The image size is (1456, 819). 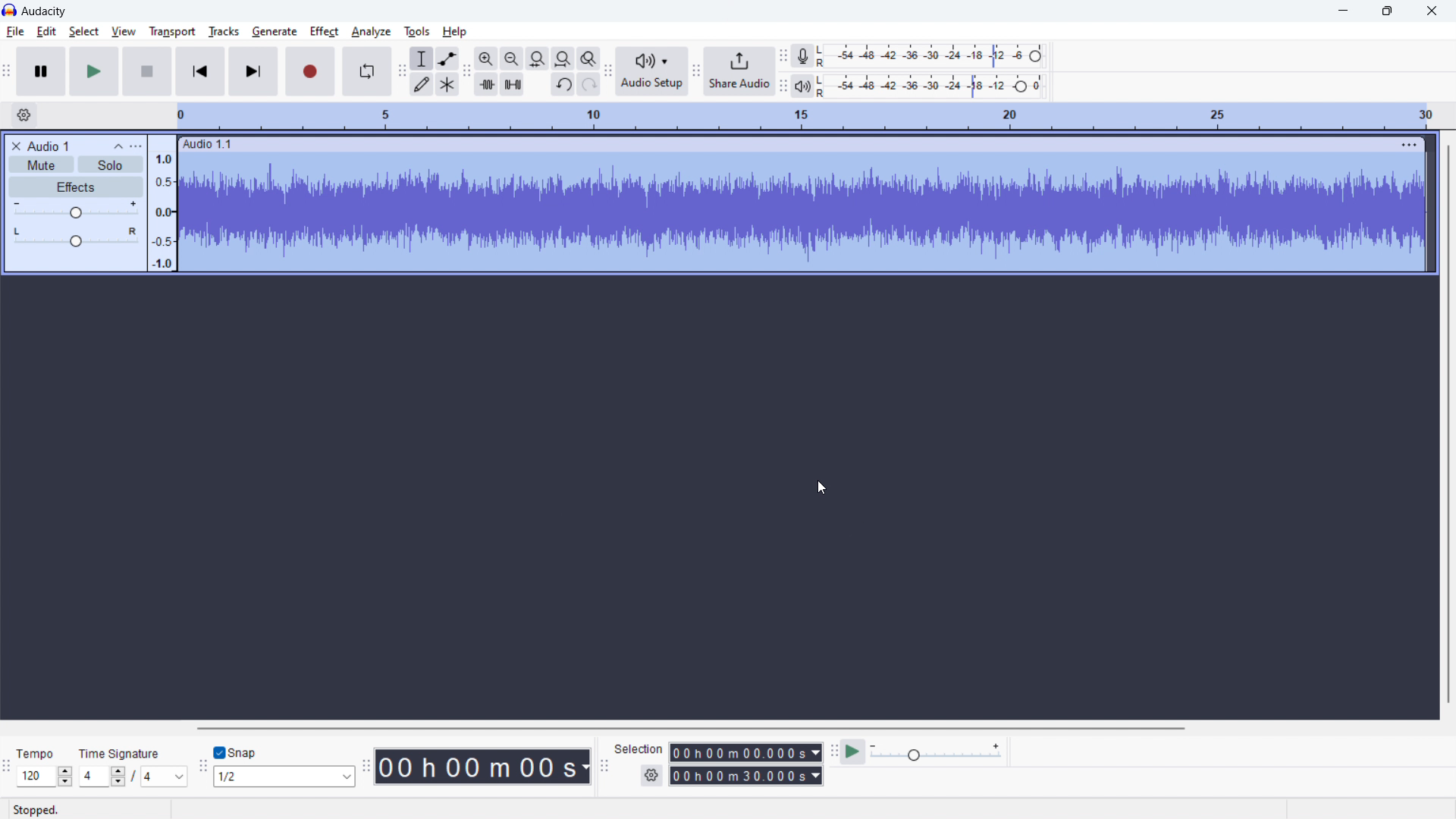 What do you see at coordinates (786, 144) in the screenshot?
I see `click to move` at bounding box center [786, 144].